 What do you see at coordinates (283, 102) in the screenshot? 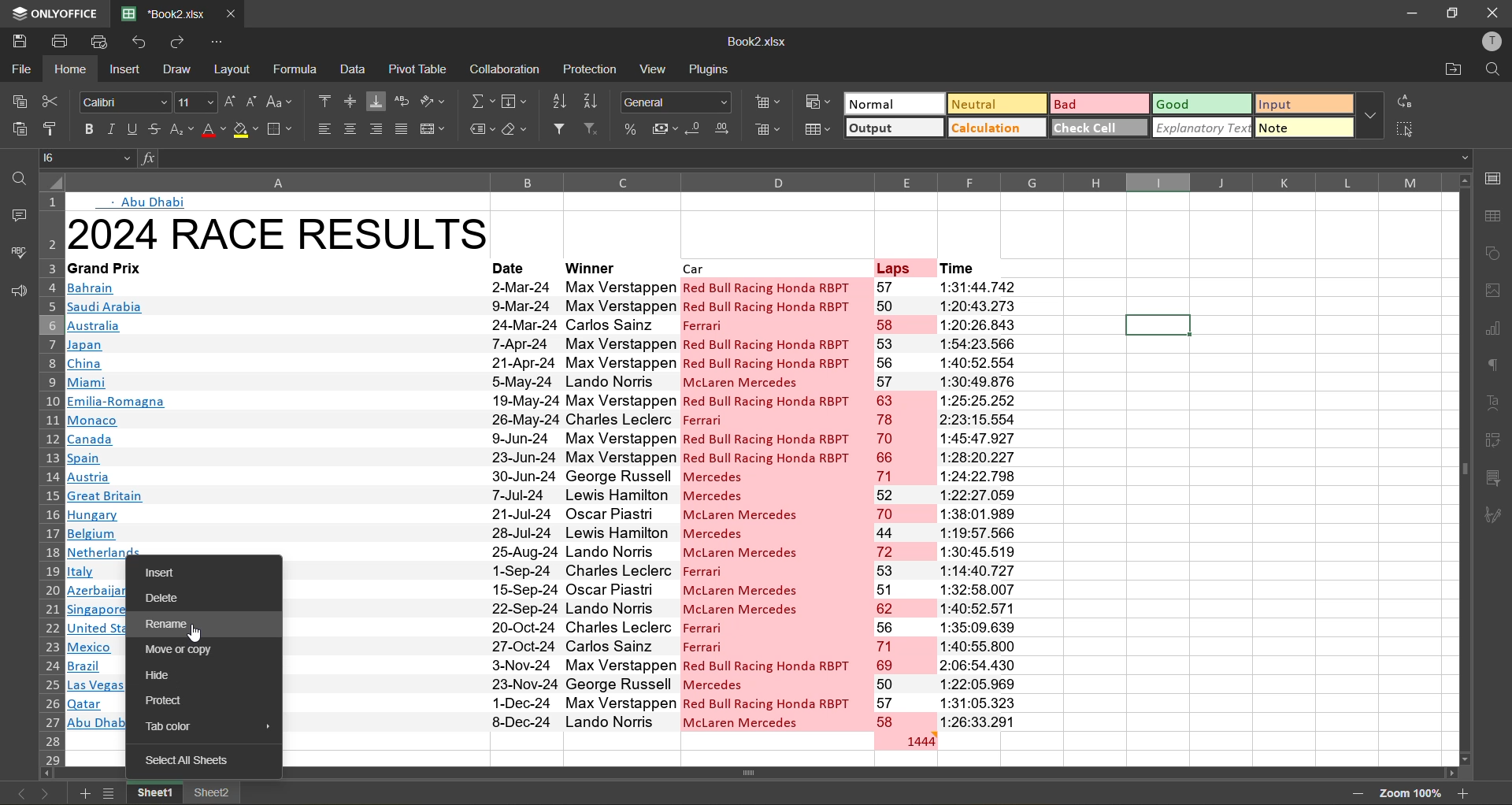
I see `change case` at bounding box center [283, 102].